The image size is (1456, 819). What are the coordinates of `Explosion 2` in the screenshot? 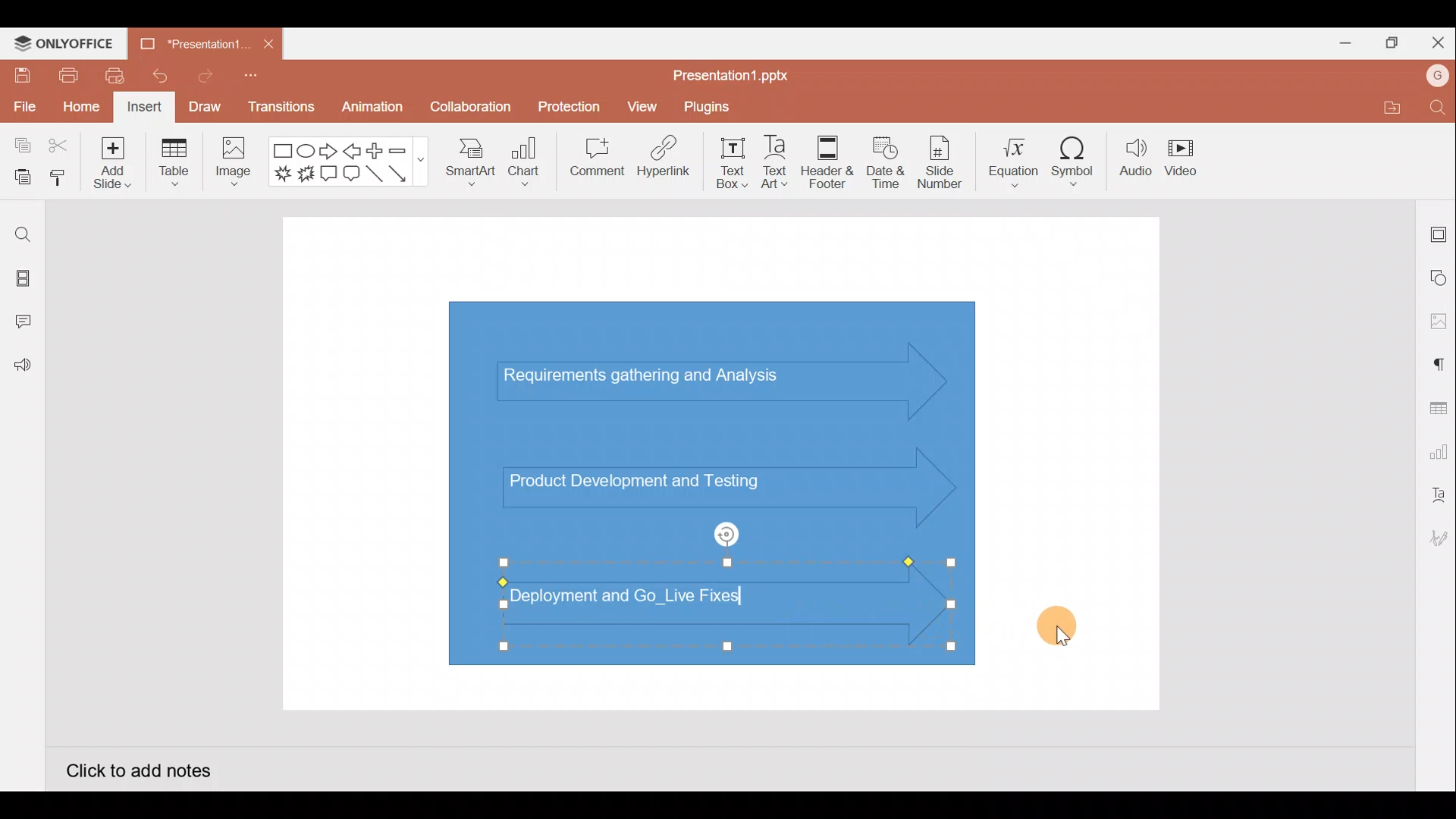 It's located at (306, 175).